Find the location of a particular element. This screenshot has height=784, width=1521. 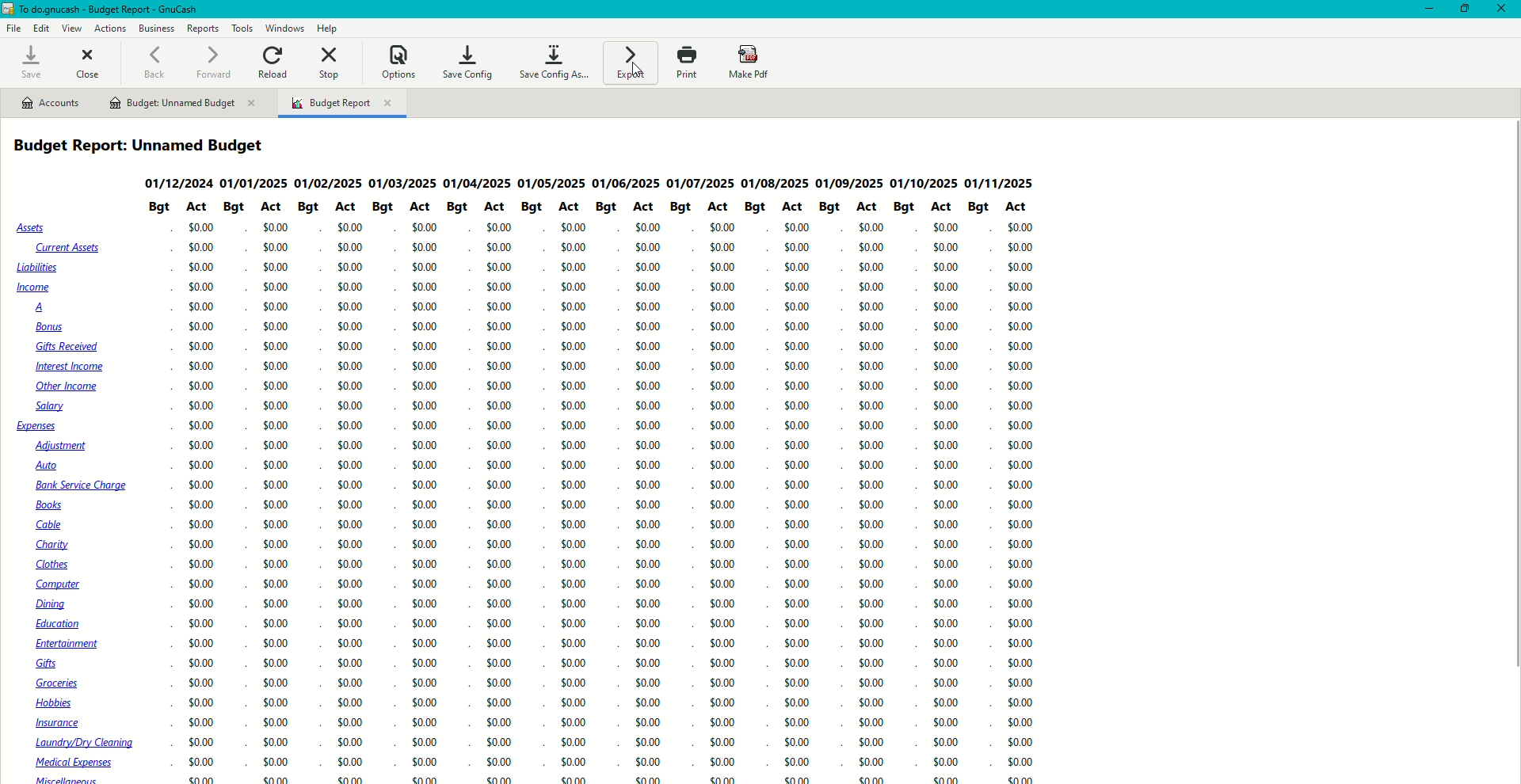

$0.00 is located at coordinates (425, 447).